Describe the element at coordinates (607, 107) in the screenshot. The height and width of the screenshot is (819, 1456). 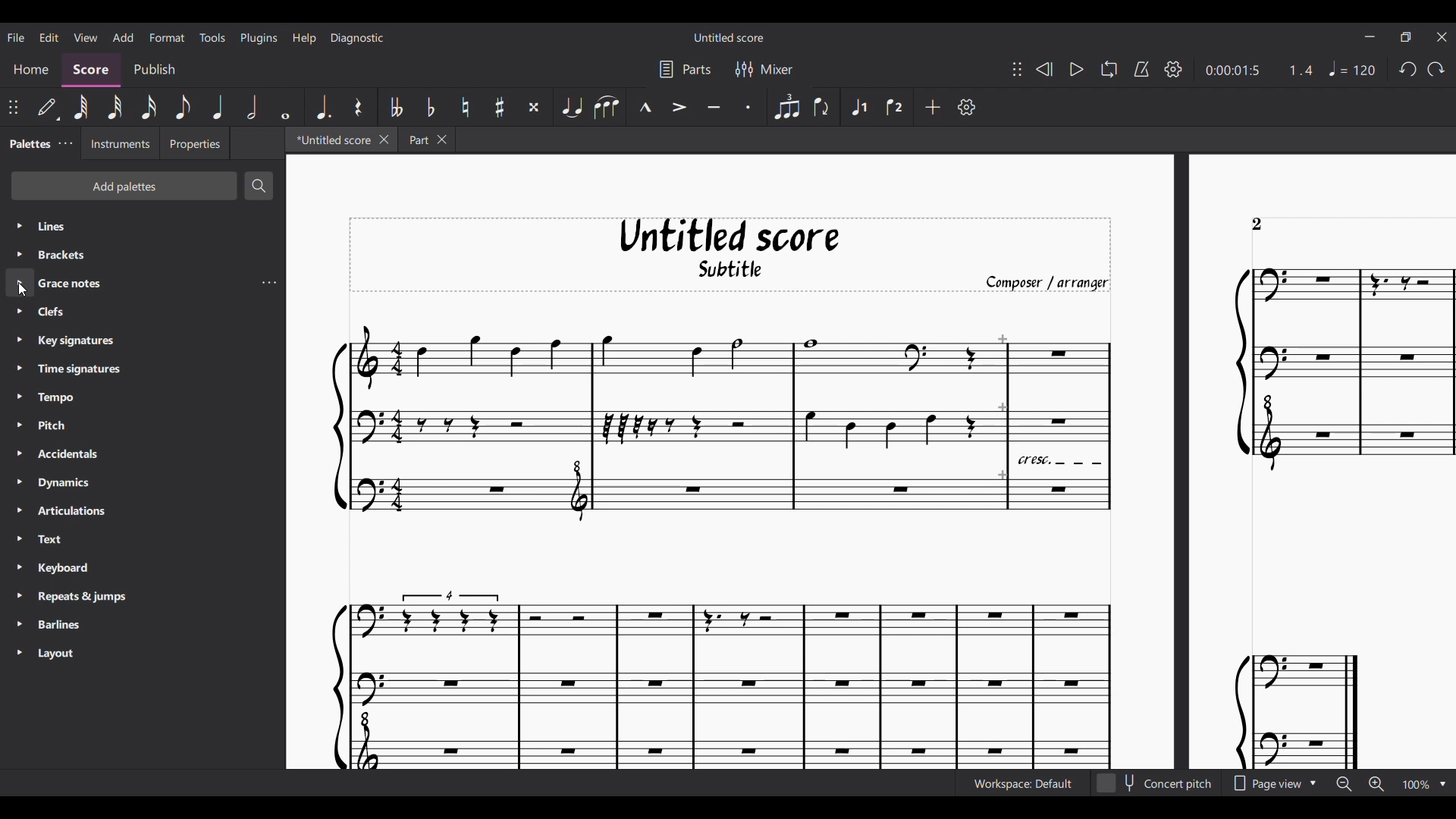
I see `Slur` at that location.